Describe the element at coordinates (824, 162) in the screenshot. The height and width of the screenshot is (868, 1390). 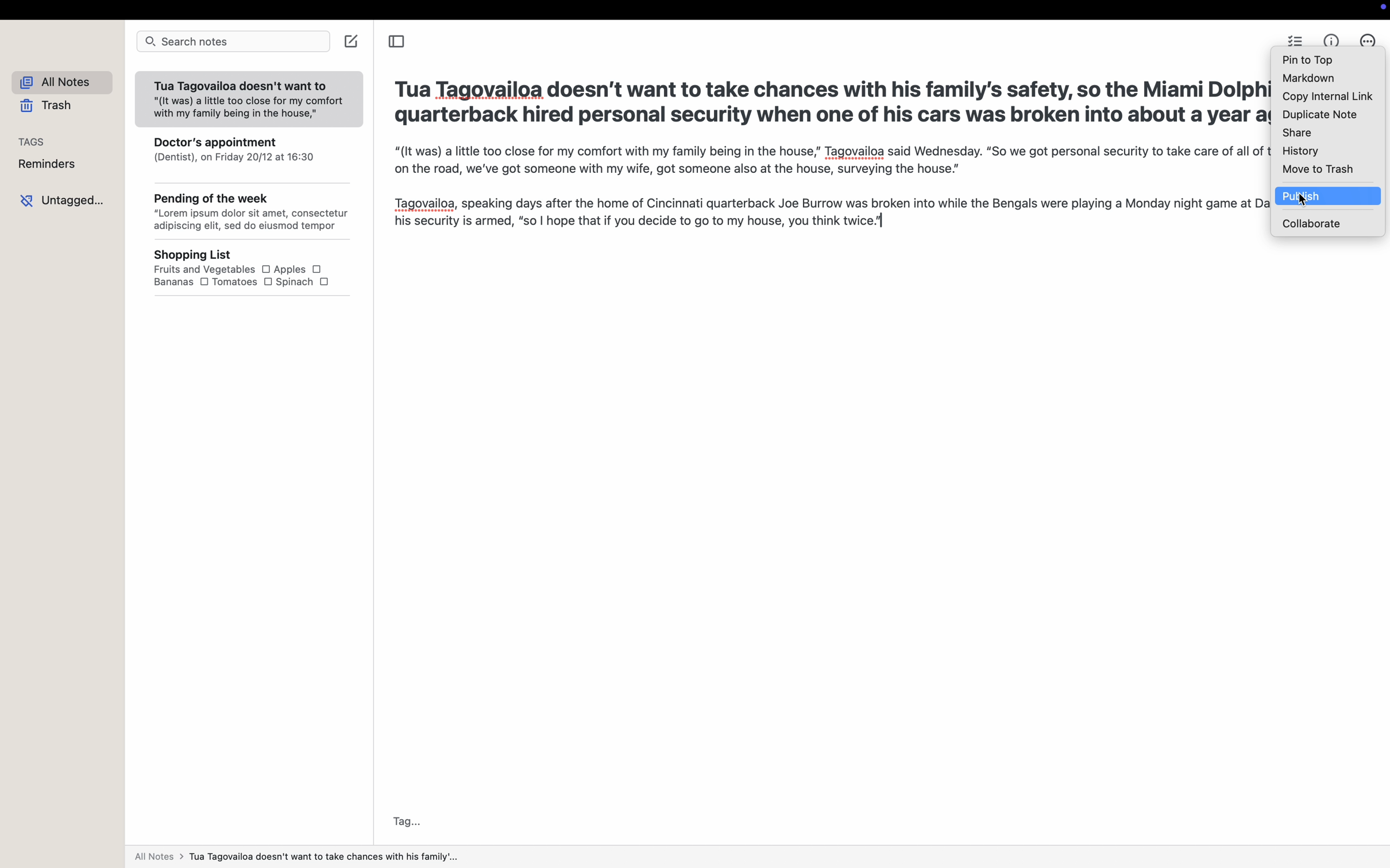
I see `"(It was) a little too close for my comfort with my family being in the house,” Tagovailoa said Wednesday. “So we got personal security to take care of all of that. When we're
on the road, we've got someone with my wife, got someone also at the house, surveying the house.”` at that location.